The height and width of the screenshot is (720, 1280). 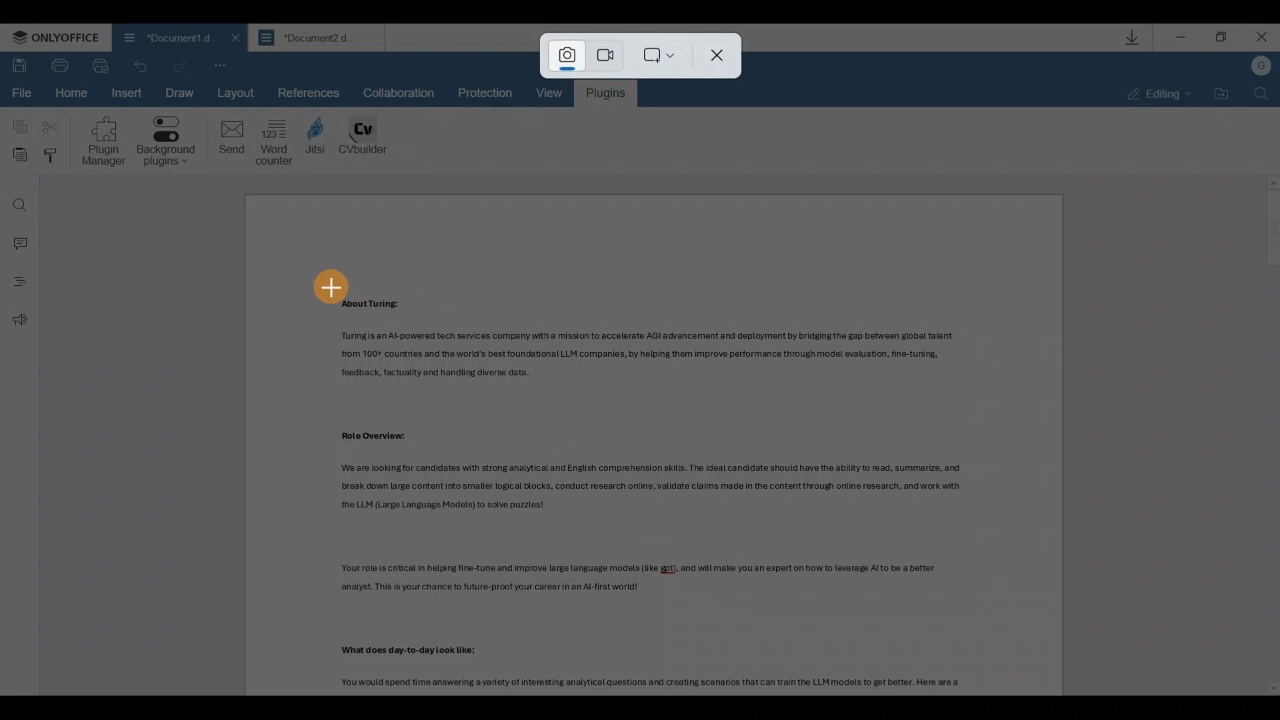 I want to click on Headings, so click(x=18, y=285).